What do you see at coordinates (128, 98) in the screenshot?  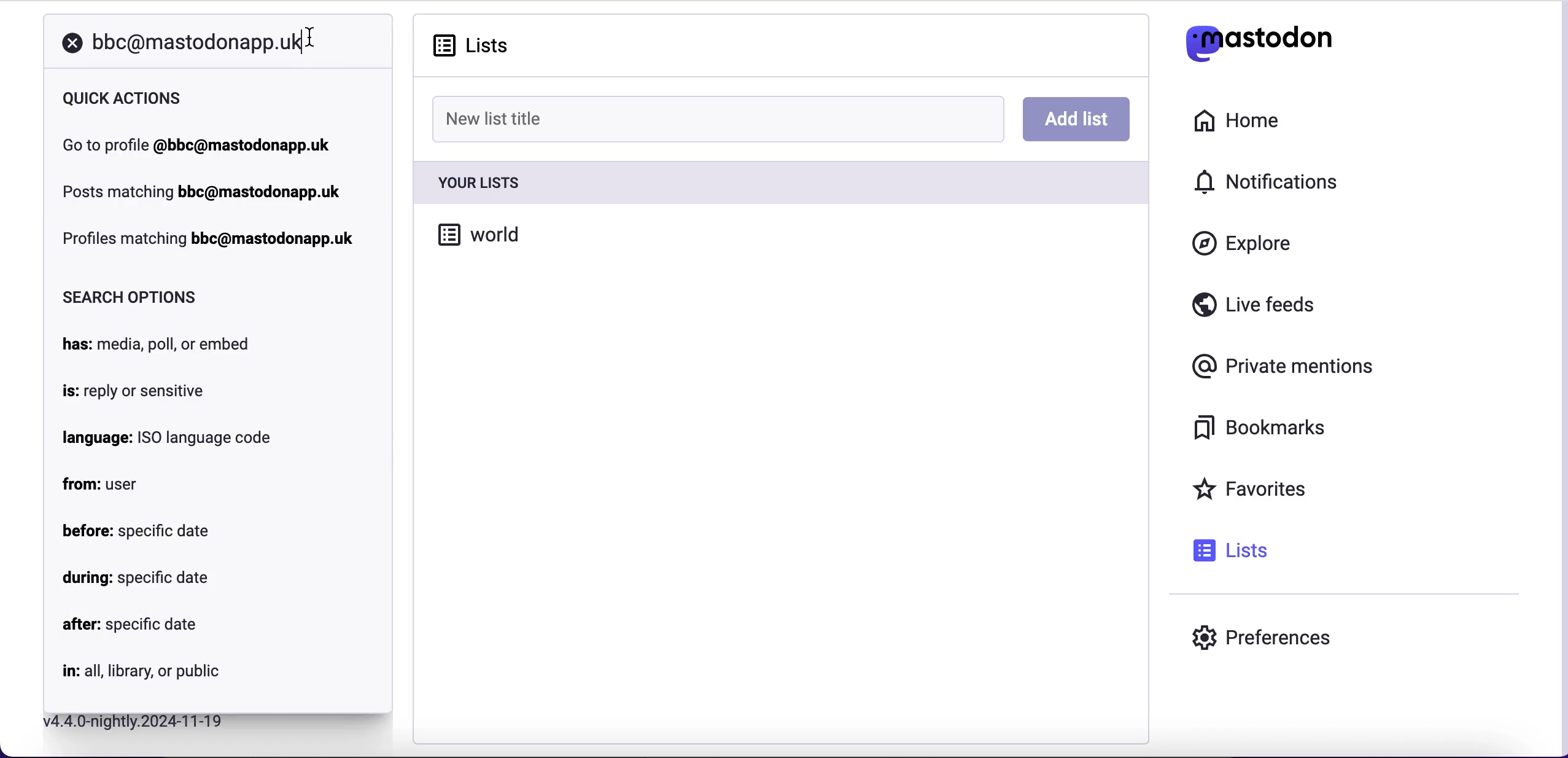 I see `quick actions` at bounding box center [128, 98].